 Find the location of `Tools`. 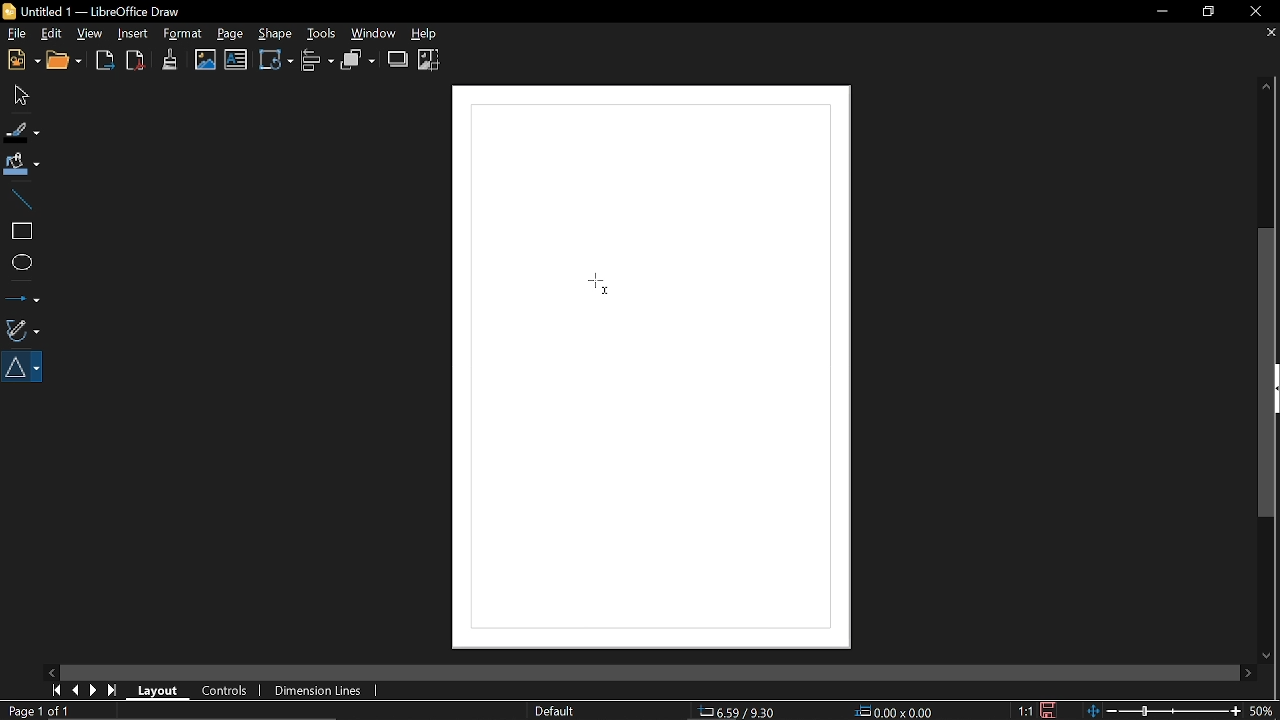

Tools is located at coordinates (319, 32).